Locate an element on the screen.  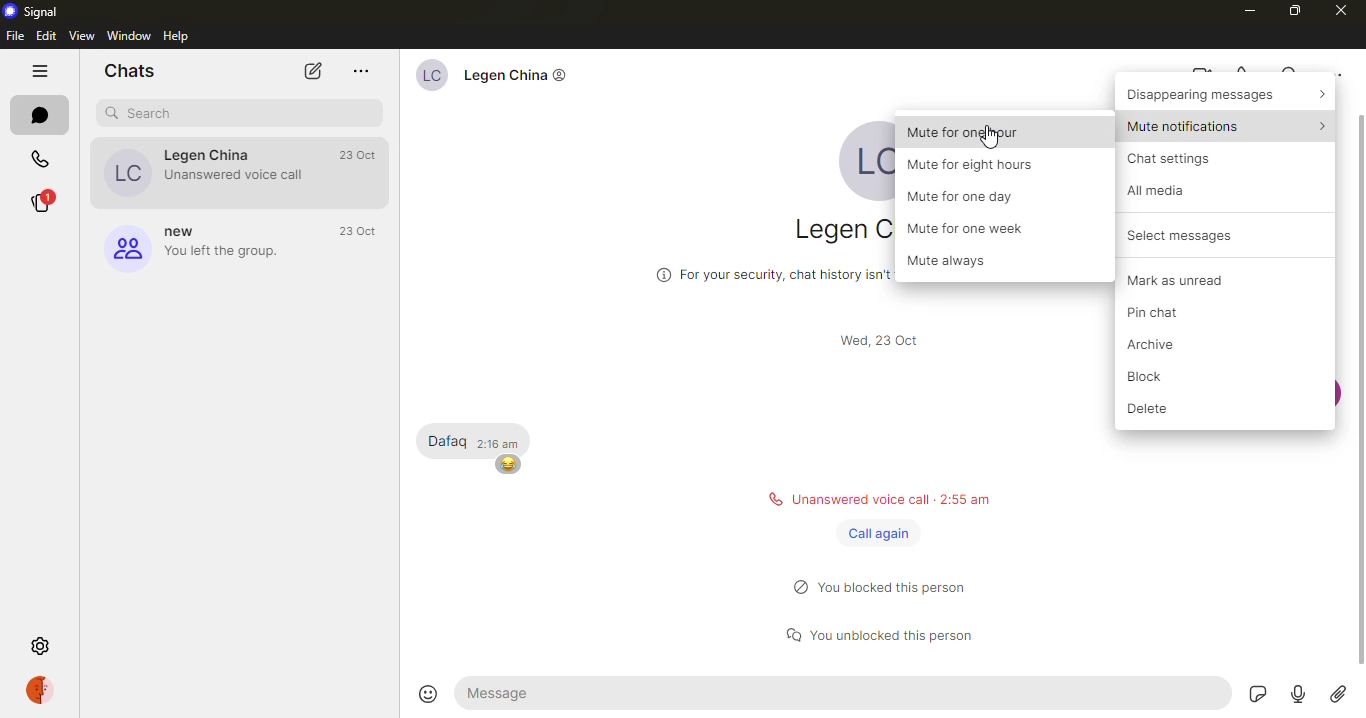
chat settings is located at coordinates (1178, 159).